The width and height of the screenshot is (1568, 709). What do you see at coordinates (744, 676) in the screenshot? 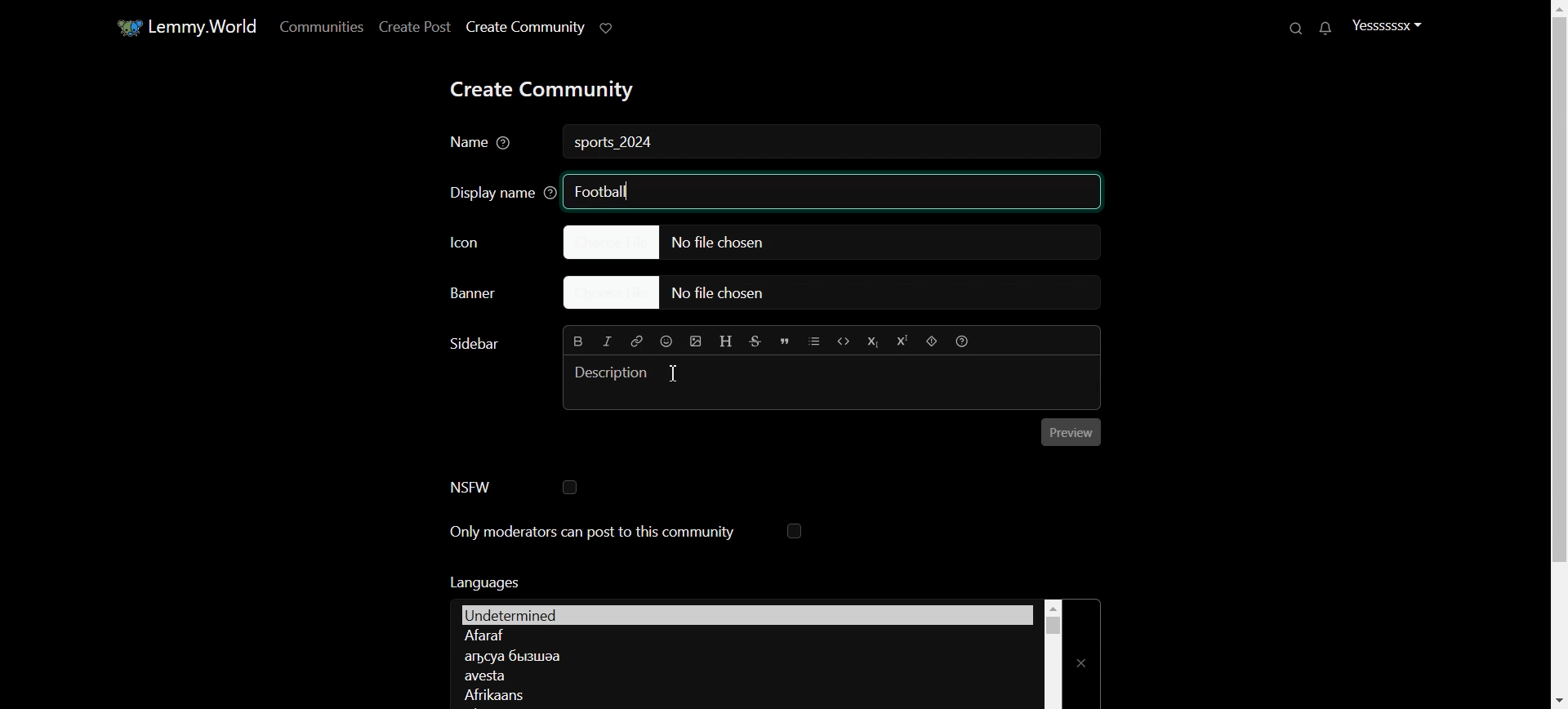
I see `Language` at bounding box center [744, 676].